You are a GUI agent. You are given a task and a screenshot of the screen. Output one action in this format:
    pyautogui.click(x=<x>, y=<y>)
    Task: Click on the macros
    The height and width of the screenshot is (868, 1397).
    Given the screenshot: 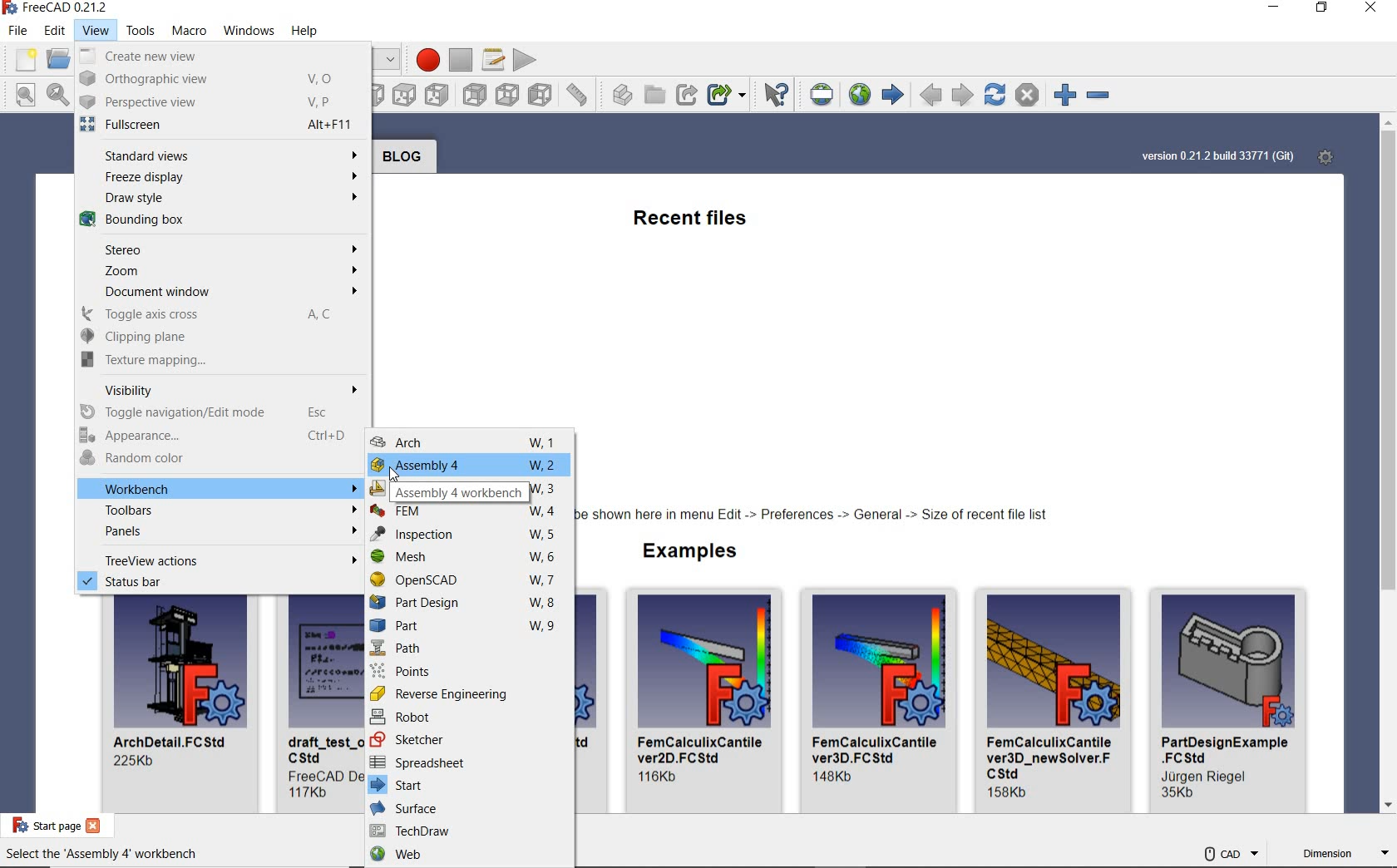 What is the action you would take?
    pyautogui.click(x=493, y=60)
    